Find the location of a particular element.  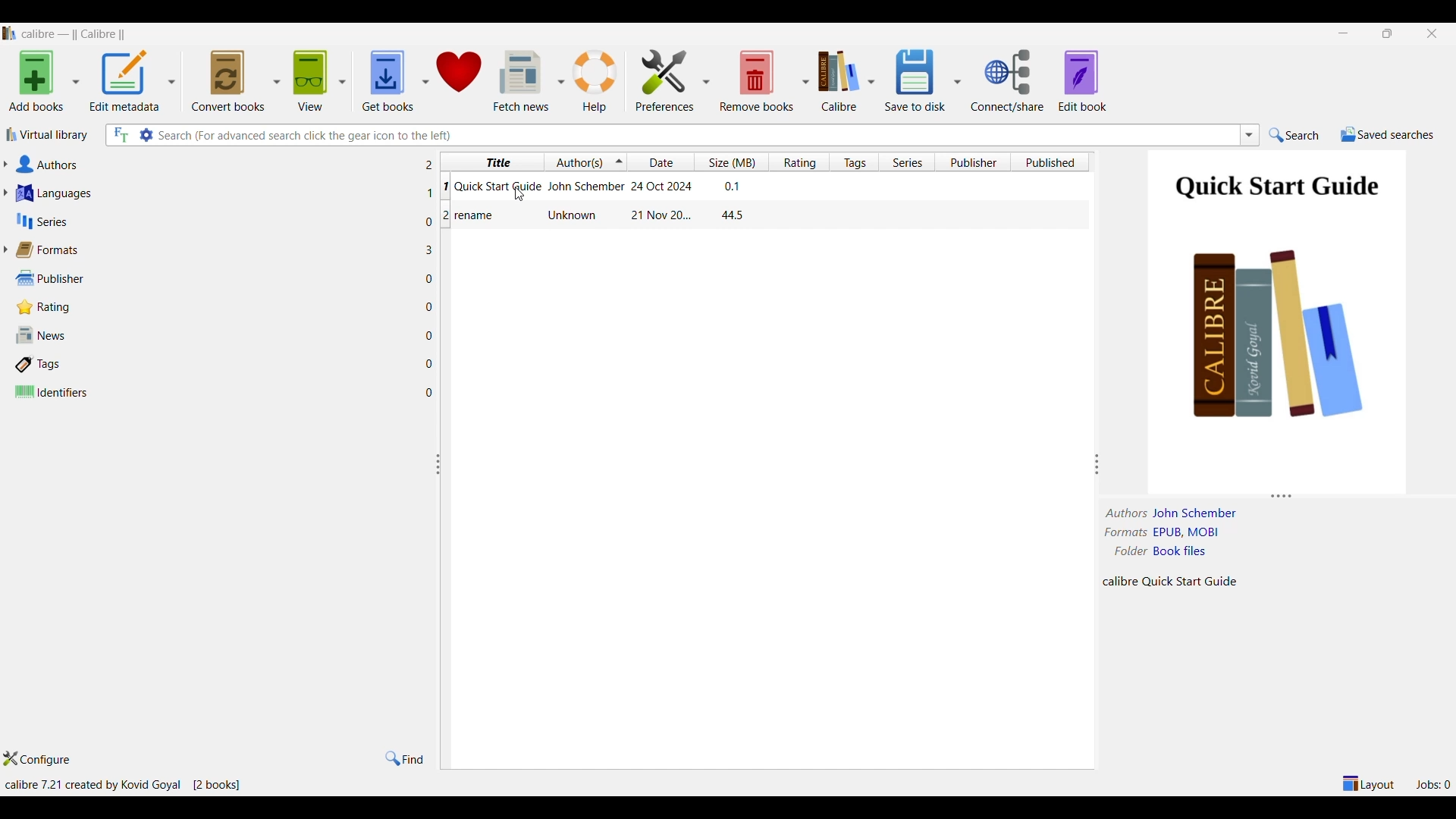

Publisher is located at coordinates (215, 279).